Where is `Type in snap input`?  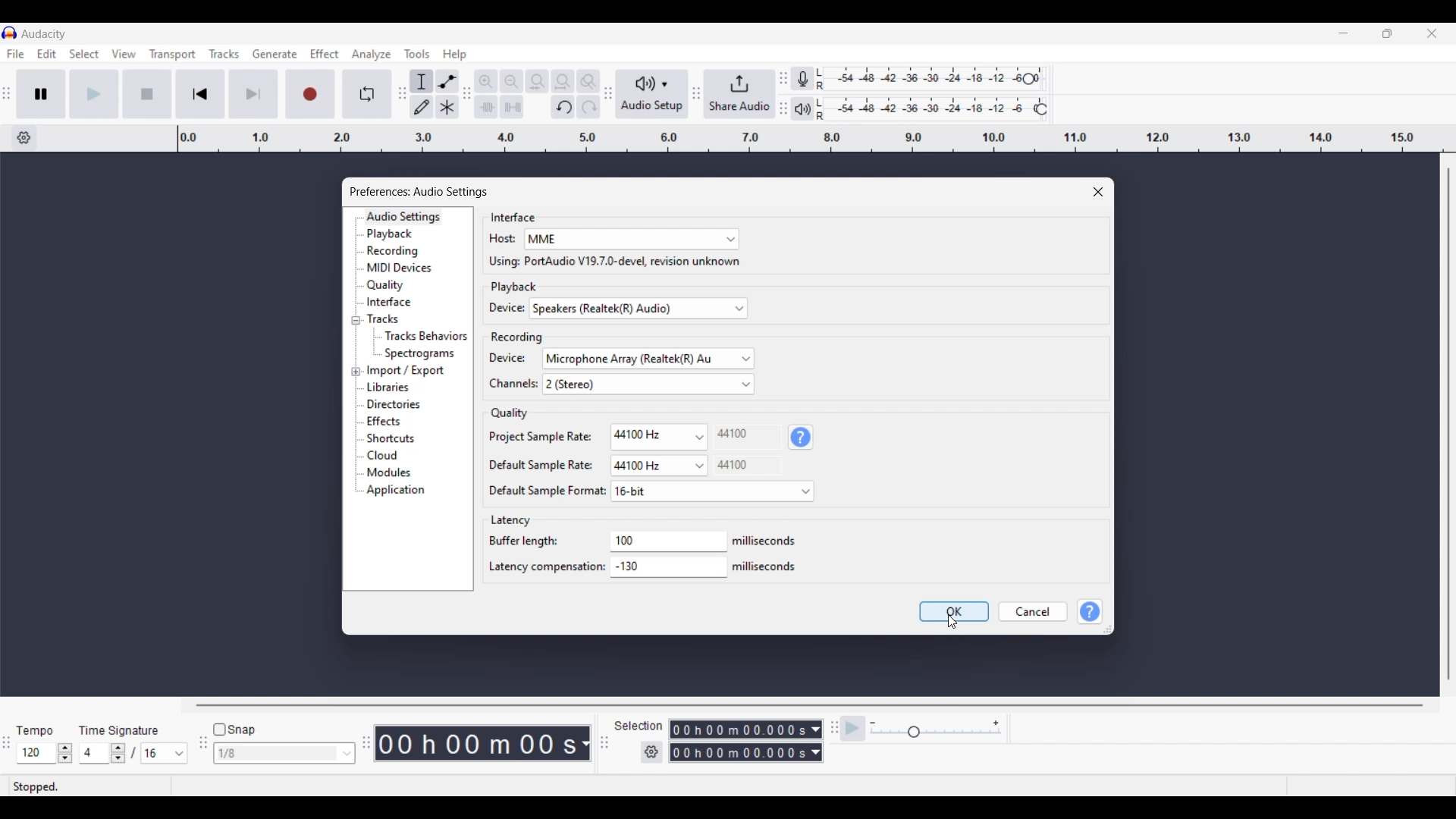
Type in snap input is located at coordinates (277, 754).